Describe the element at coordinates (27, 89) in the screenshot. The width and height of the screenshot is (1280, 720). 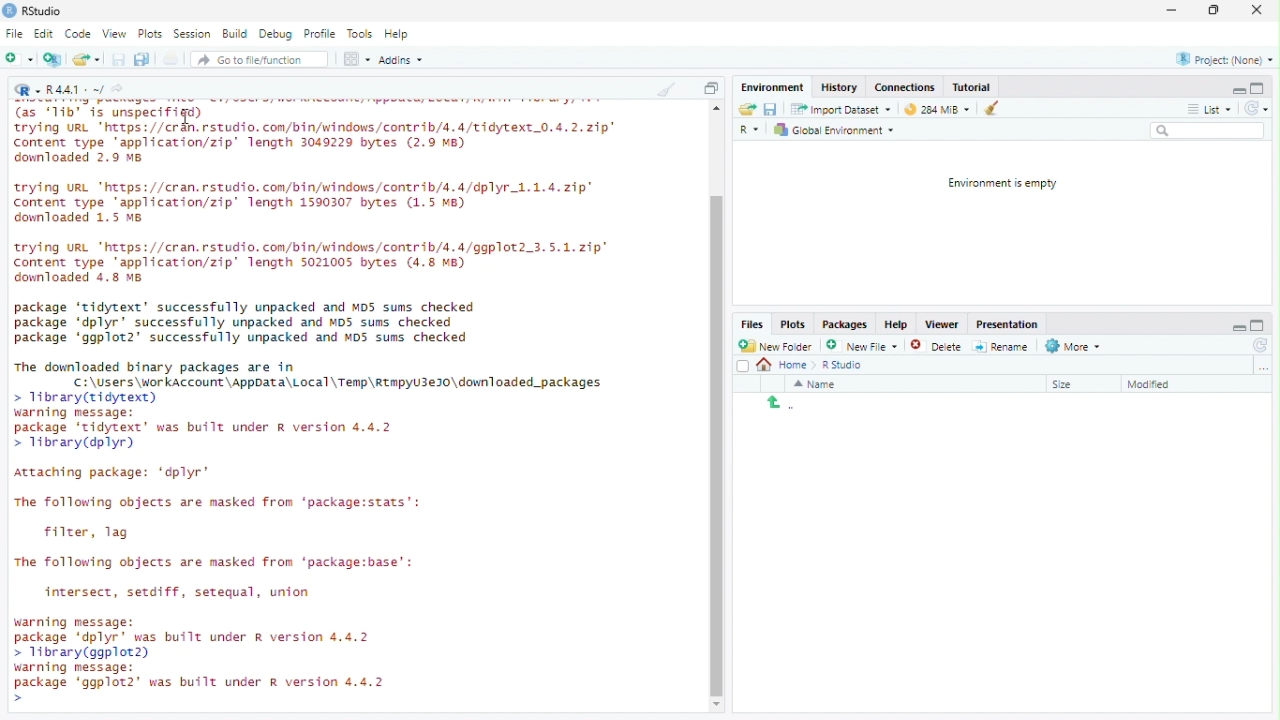
I see `R` at that location.